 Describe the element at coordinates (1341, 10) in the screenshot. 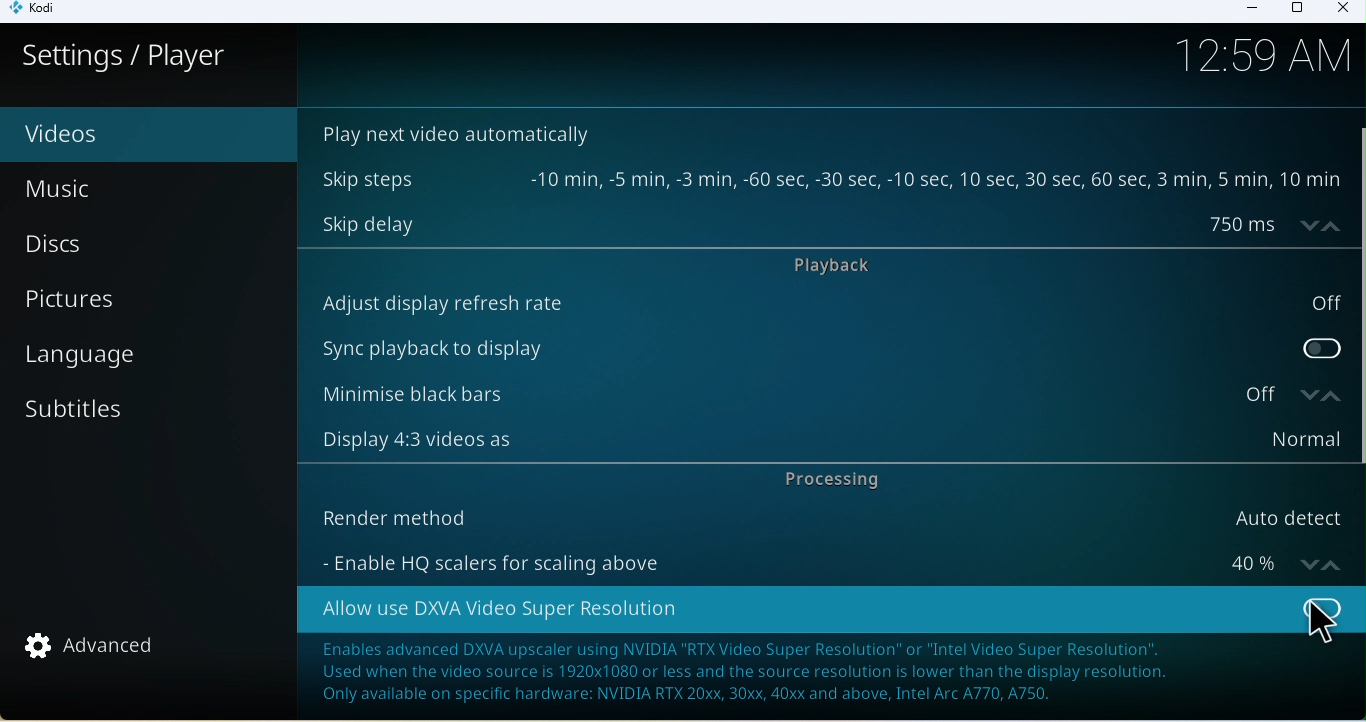

I see `Close` at that location.